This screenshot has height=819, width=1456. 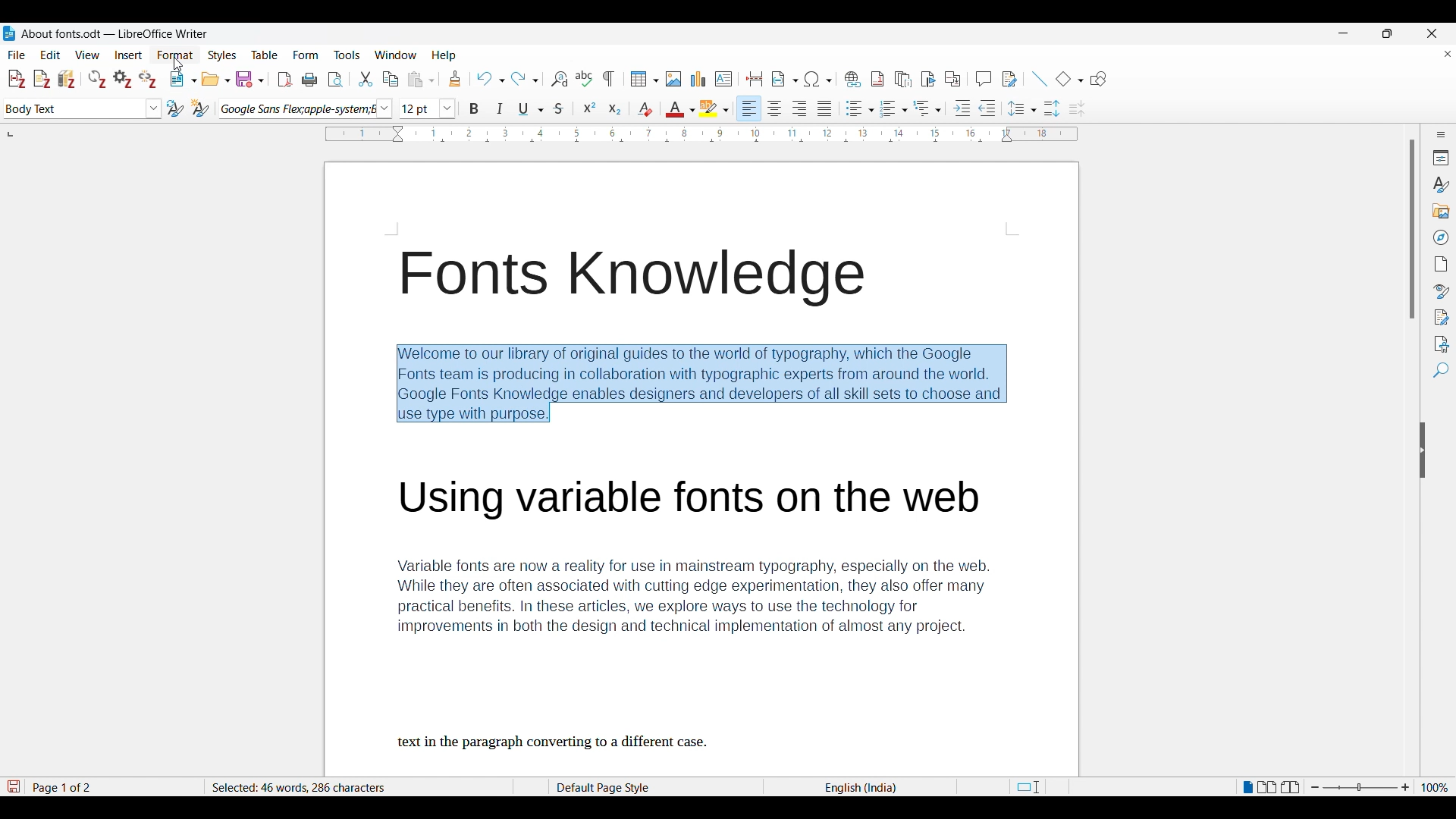 I want to click on Show in smaller tab, so click(x=1387, y=33).